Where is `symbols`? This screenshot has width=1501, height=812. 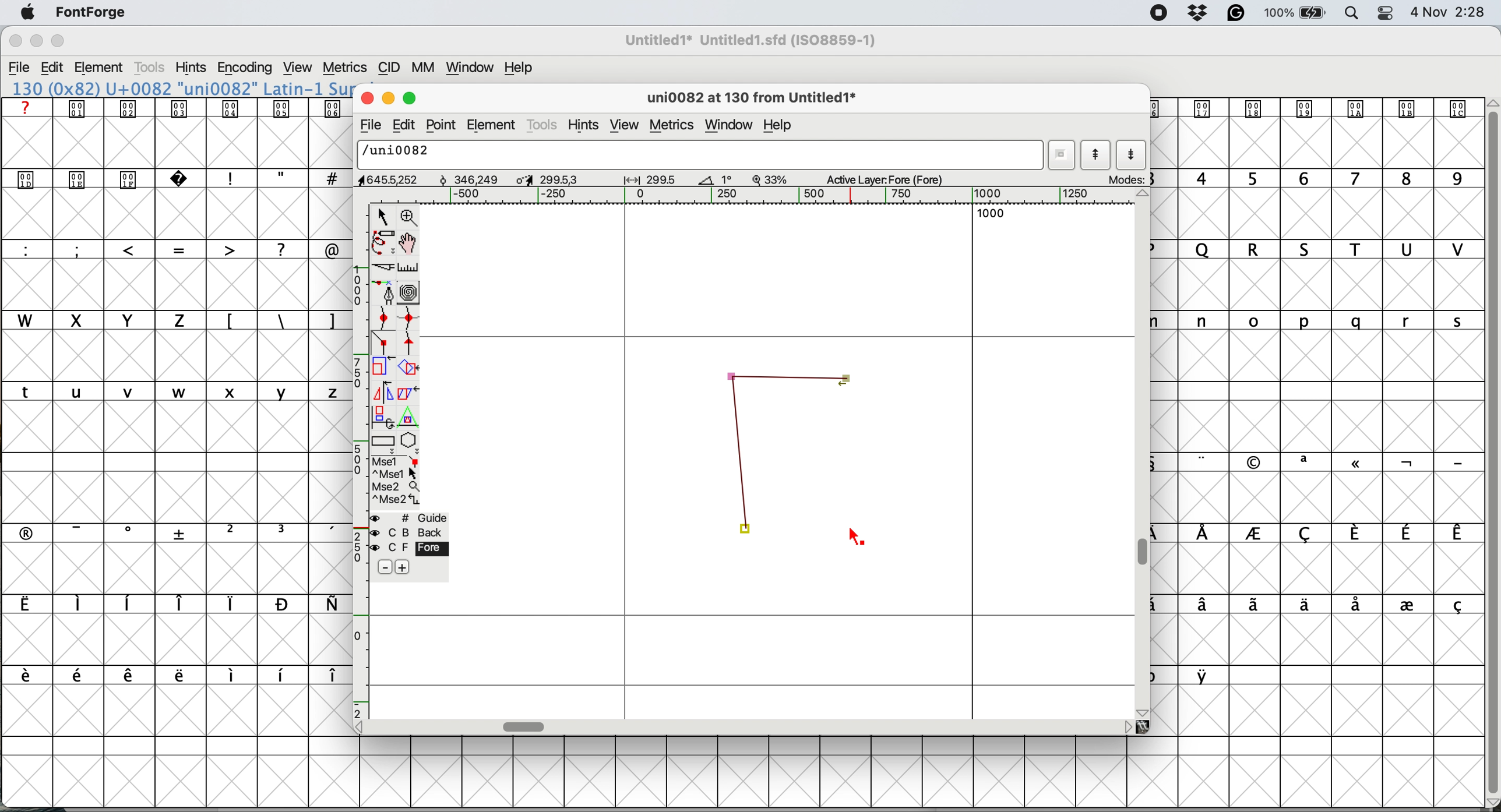
symbols is located at coordinates (1325, 606).